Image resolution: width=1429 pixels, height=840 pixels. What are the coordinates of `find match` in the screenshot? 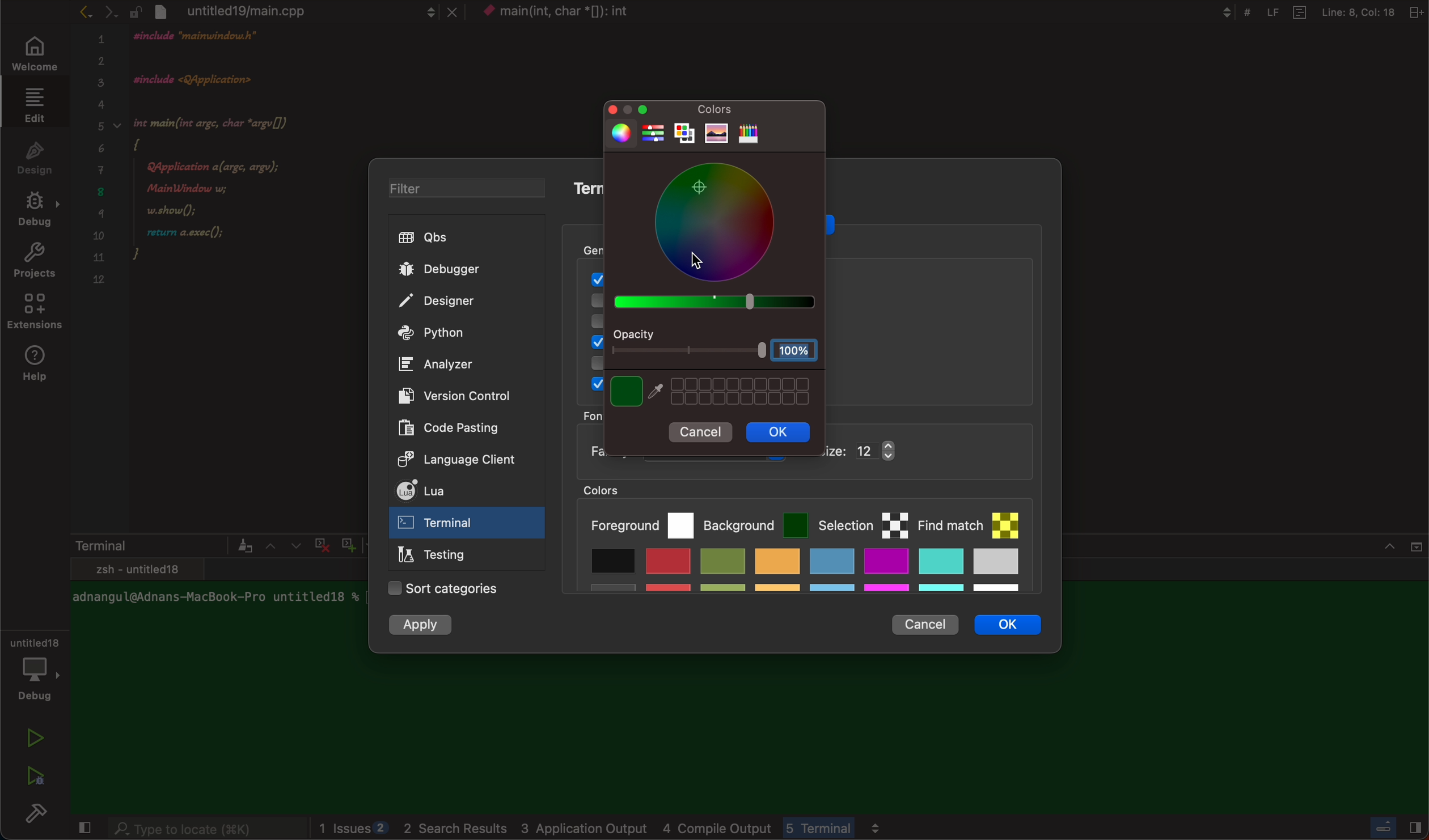 It's located at (975, 520).